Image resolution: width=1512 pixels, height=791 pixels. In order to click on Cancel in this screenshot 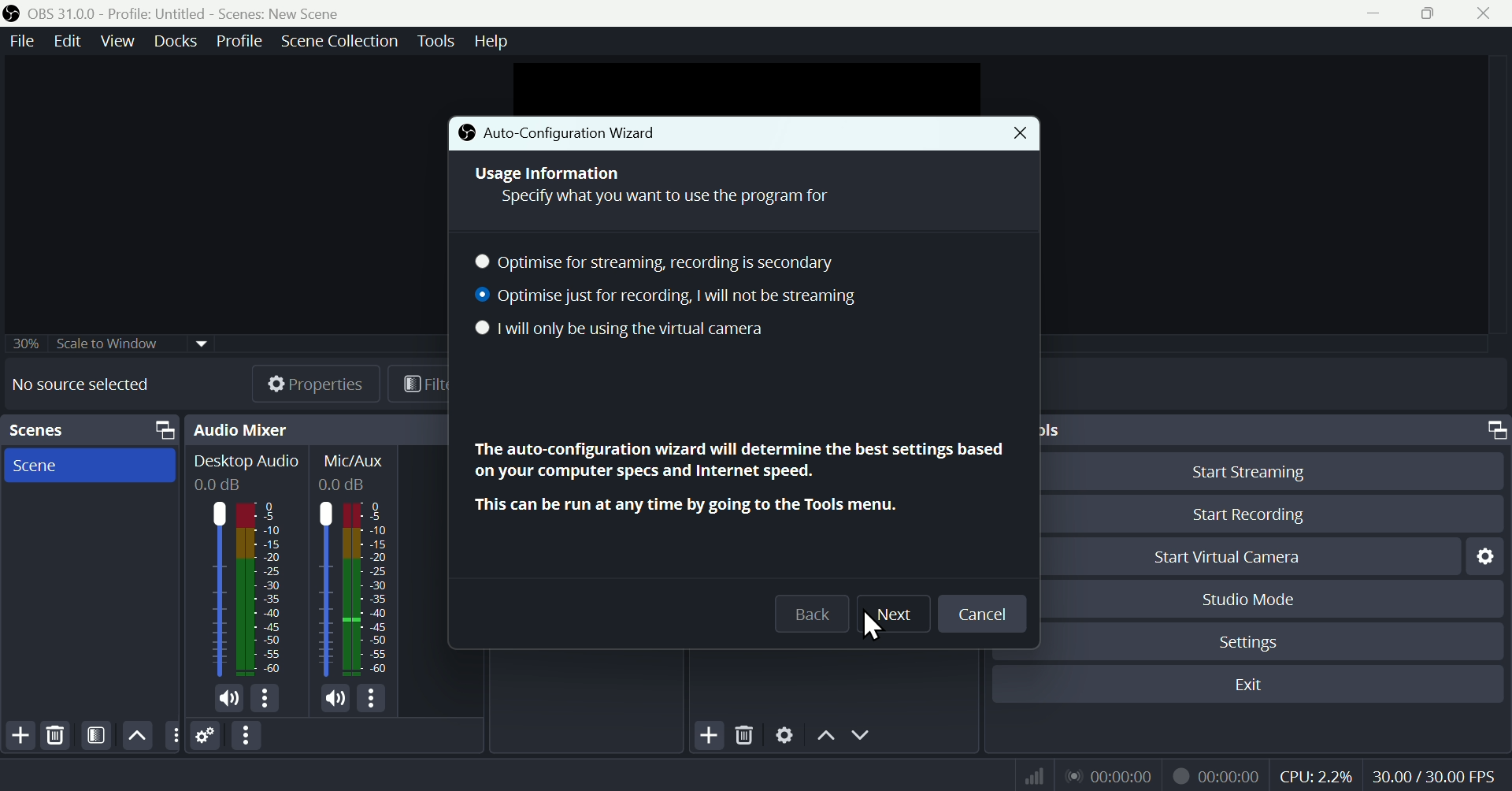, I will do `click(982, 614)`.